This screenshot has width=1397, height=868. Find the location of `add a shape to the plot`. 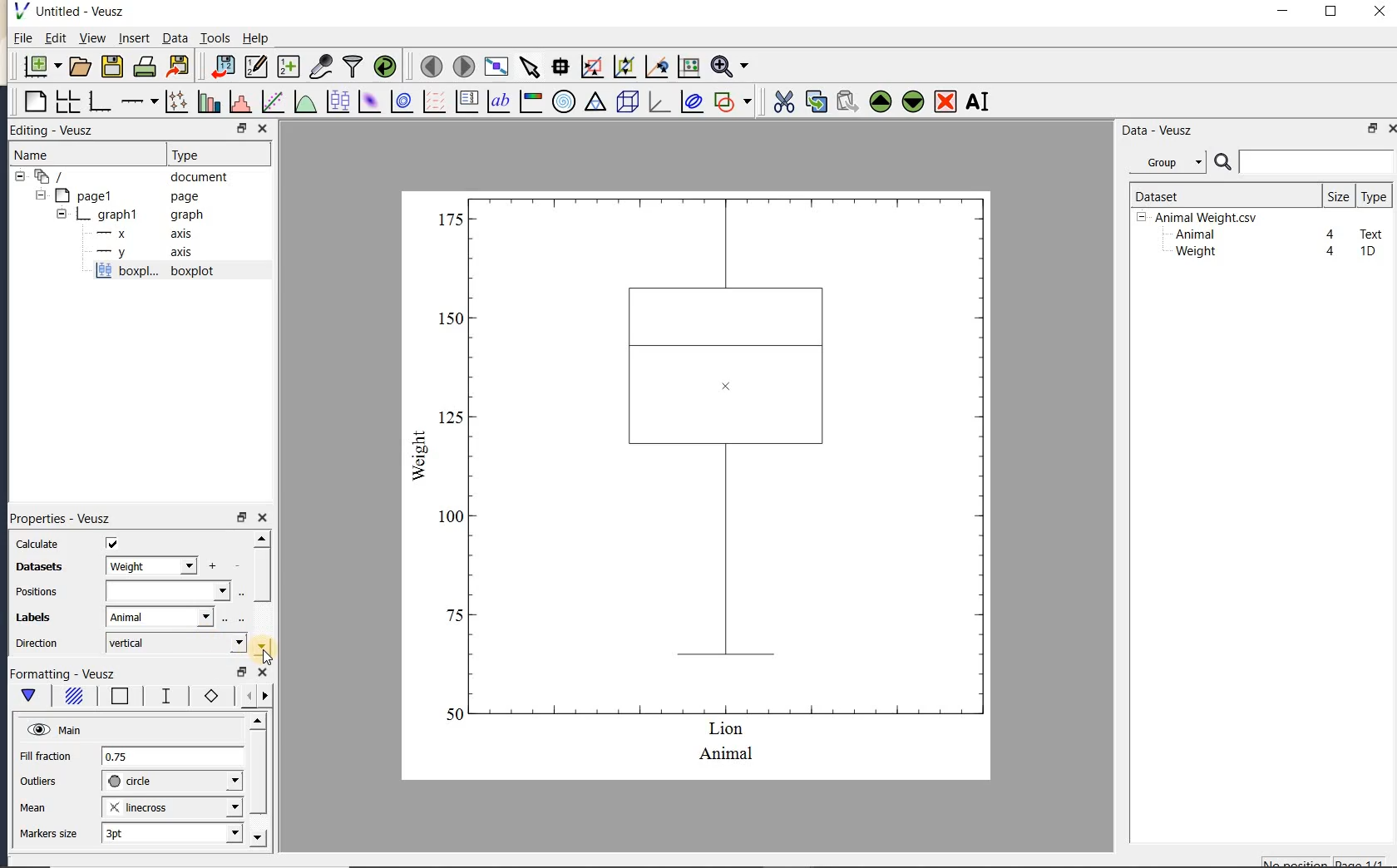

add a shape to the plot is located at coordinates (732, 101).